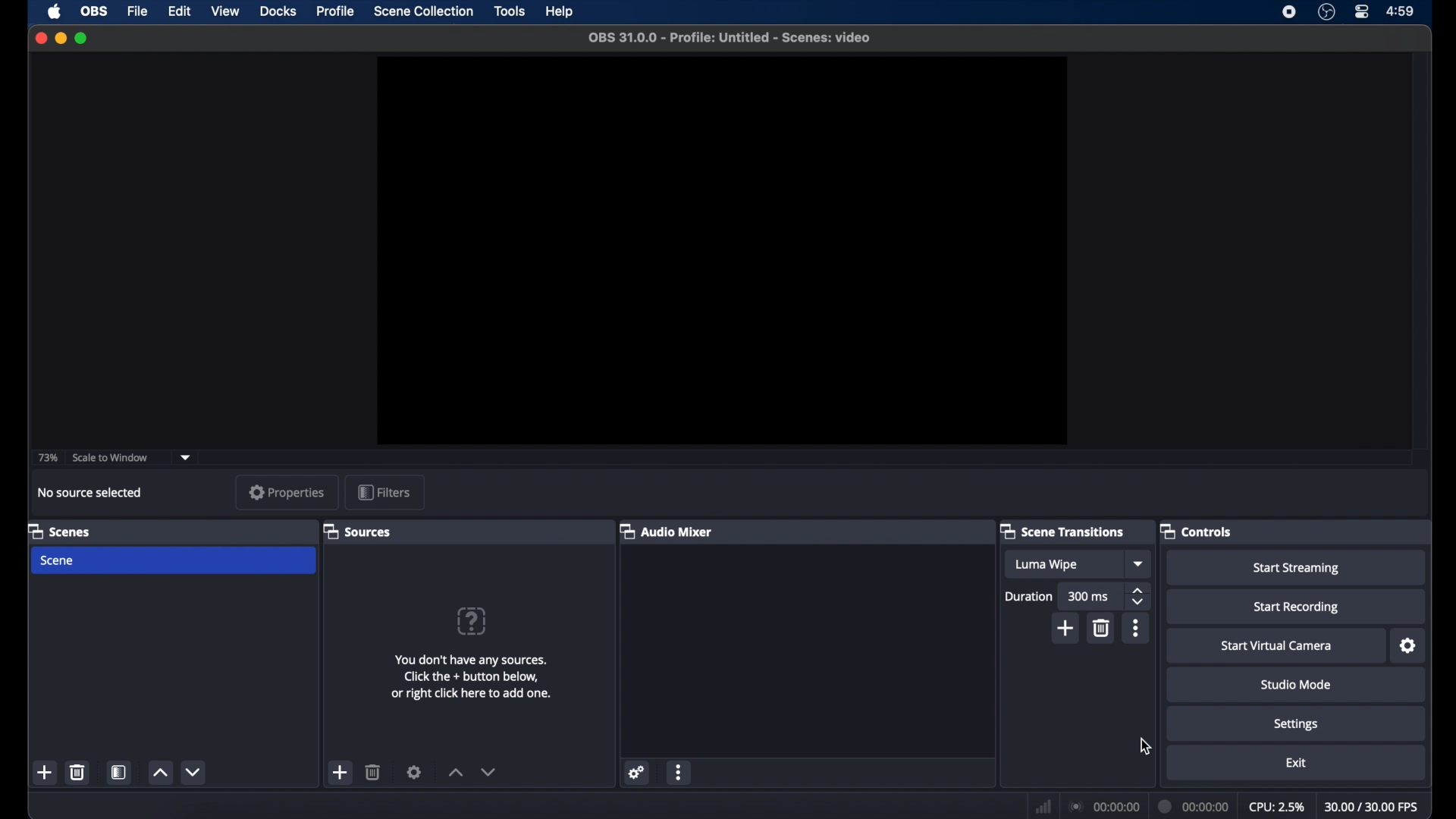  I want to click on decrement, so click(487, 771).